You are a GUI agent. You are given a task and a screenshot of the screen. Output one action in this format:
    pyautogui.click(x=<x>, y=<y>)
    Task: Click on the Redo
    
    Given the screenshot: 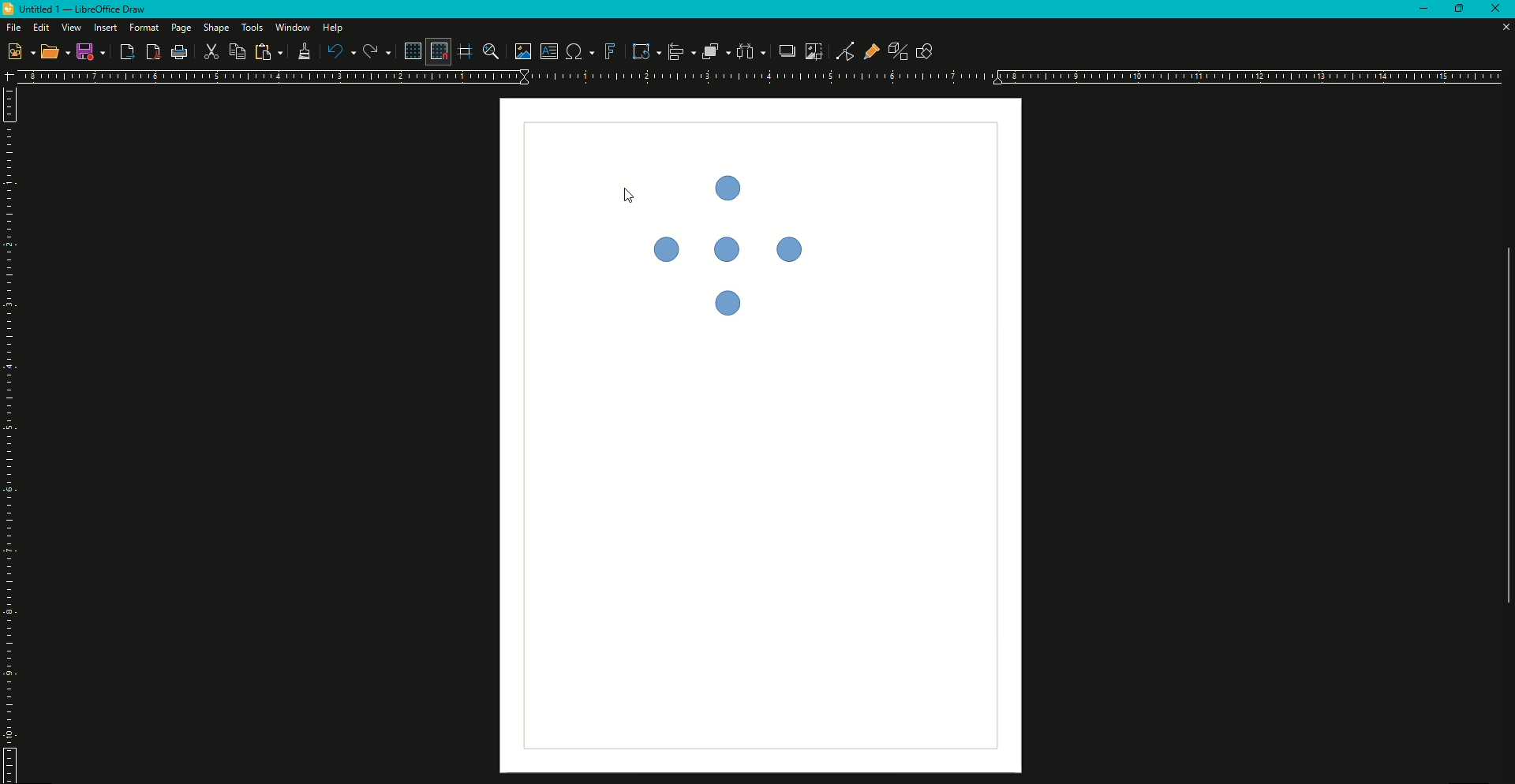 What is the action you would take?
    pyautogui.click(x=377, y=51)
    